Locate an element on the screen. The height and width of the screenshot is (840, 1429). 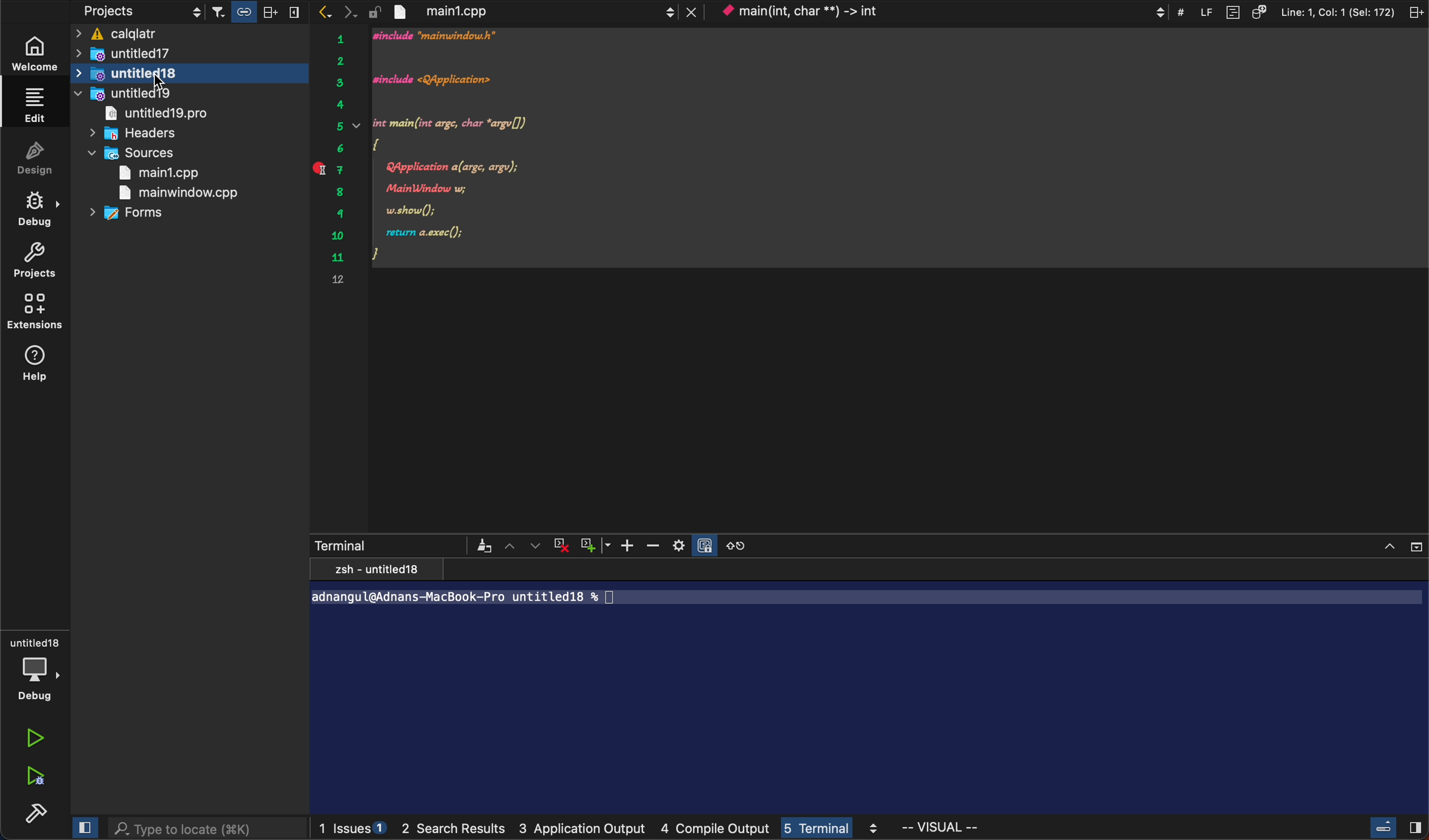
main window .cpp is located at coordinates (181, 191).